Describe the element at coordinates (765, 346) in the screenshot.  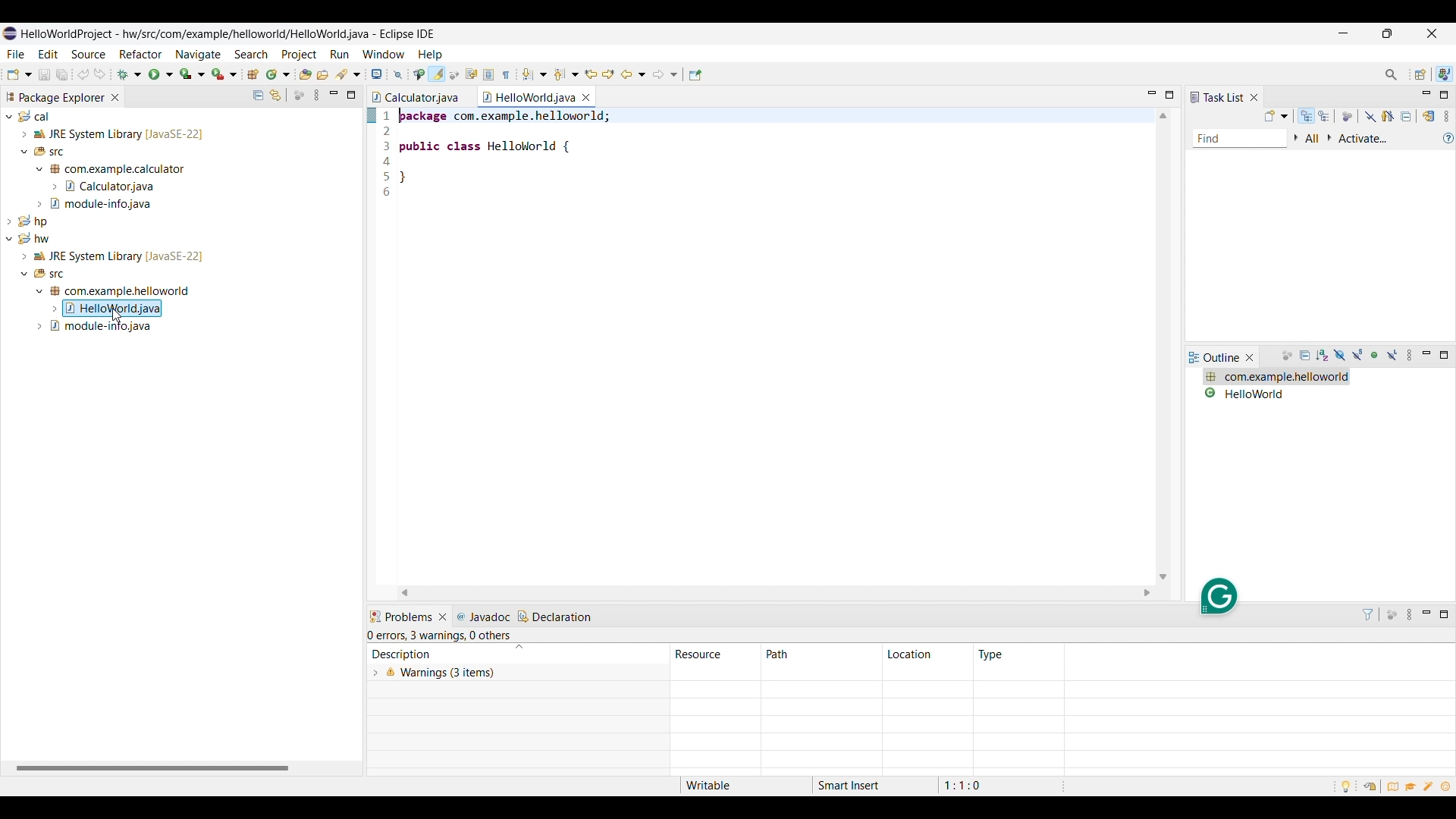
I see `Current workspace ` at that location.